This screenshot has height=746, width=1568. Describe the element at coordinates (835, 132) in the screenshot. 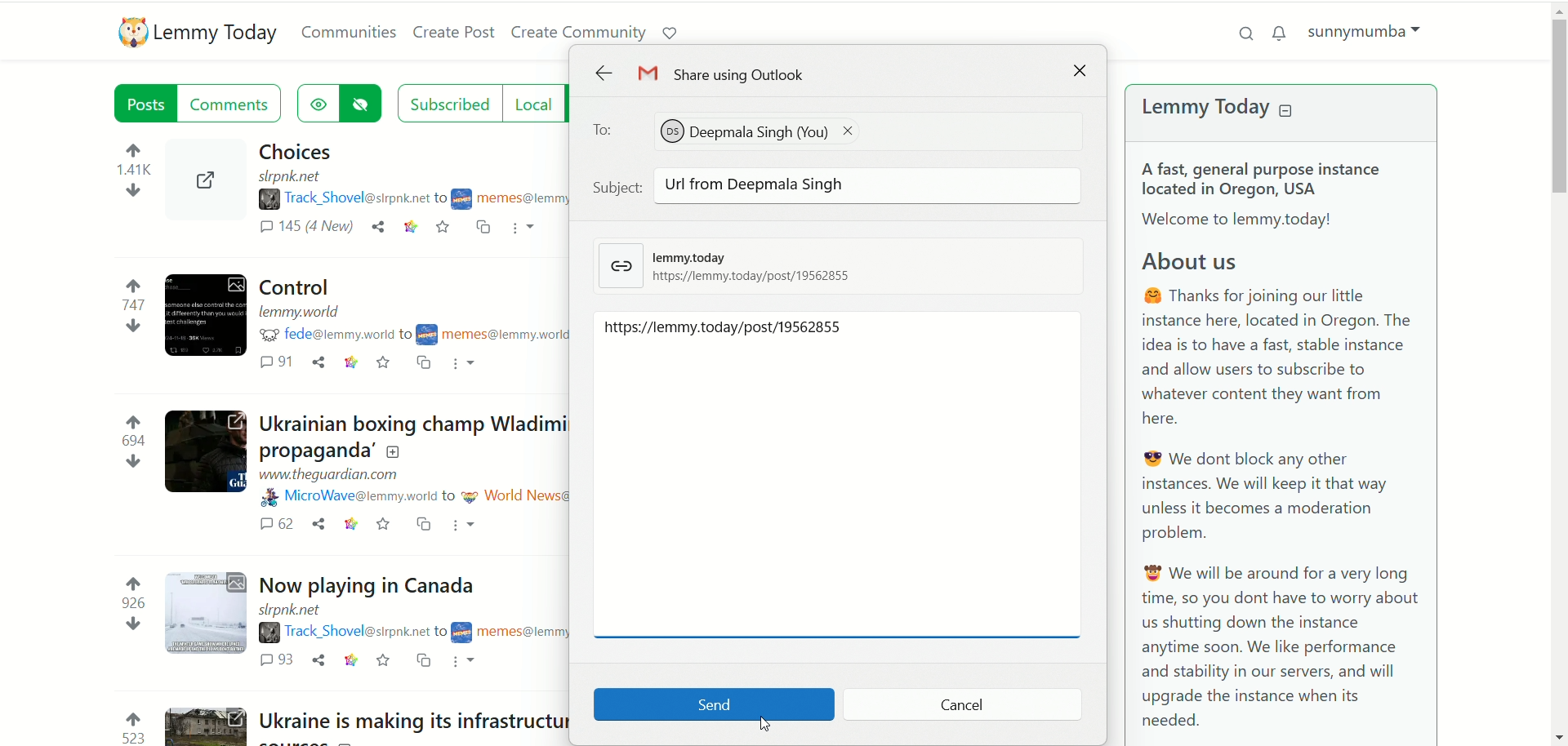

I see `to: DeepmalaSingh (You)` at that location.